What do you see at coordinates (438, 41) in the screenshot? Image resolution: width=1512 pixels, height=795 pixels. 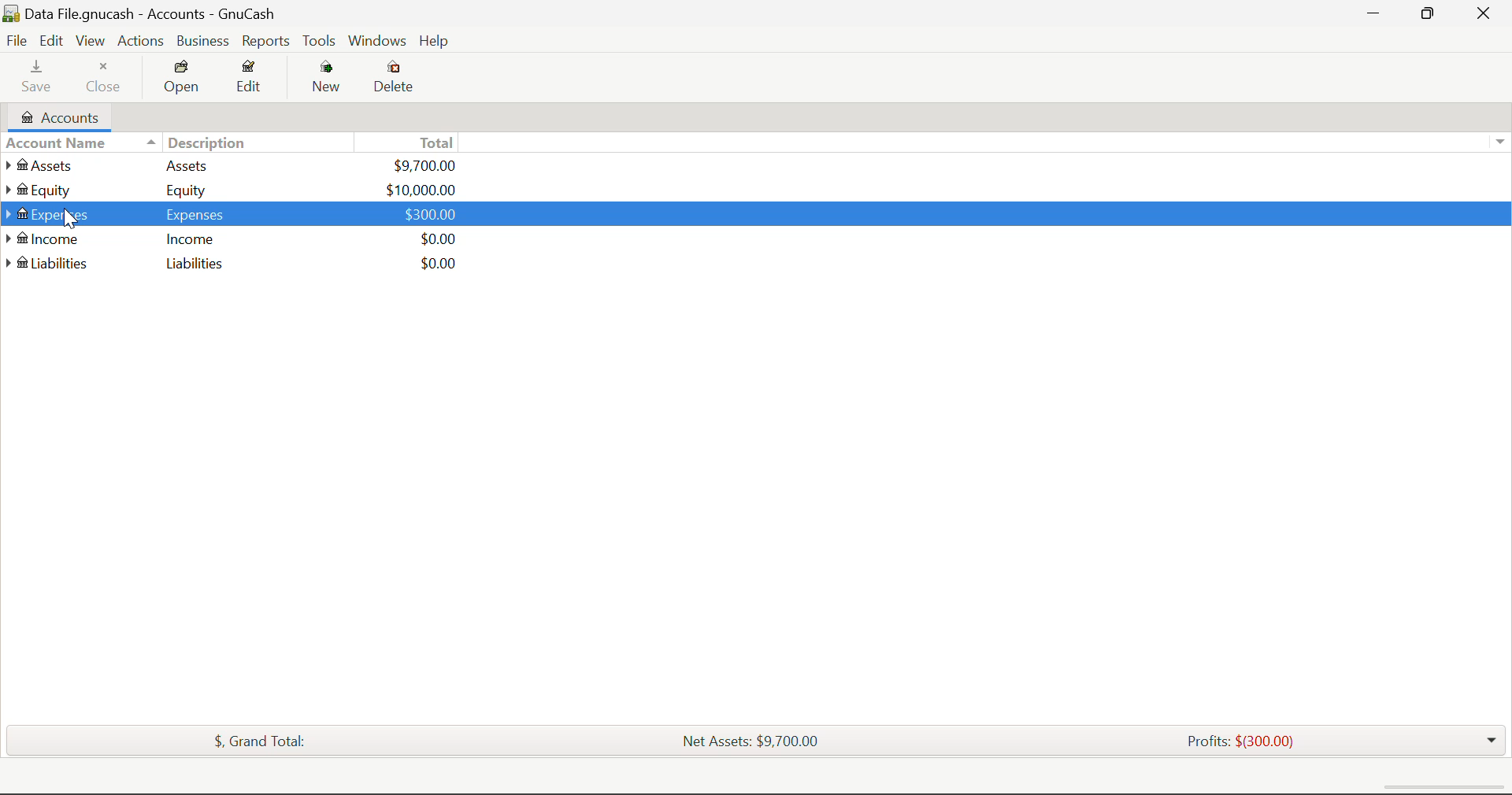 I see `Help` at bounding box center [438, 41].